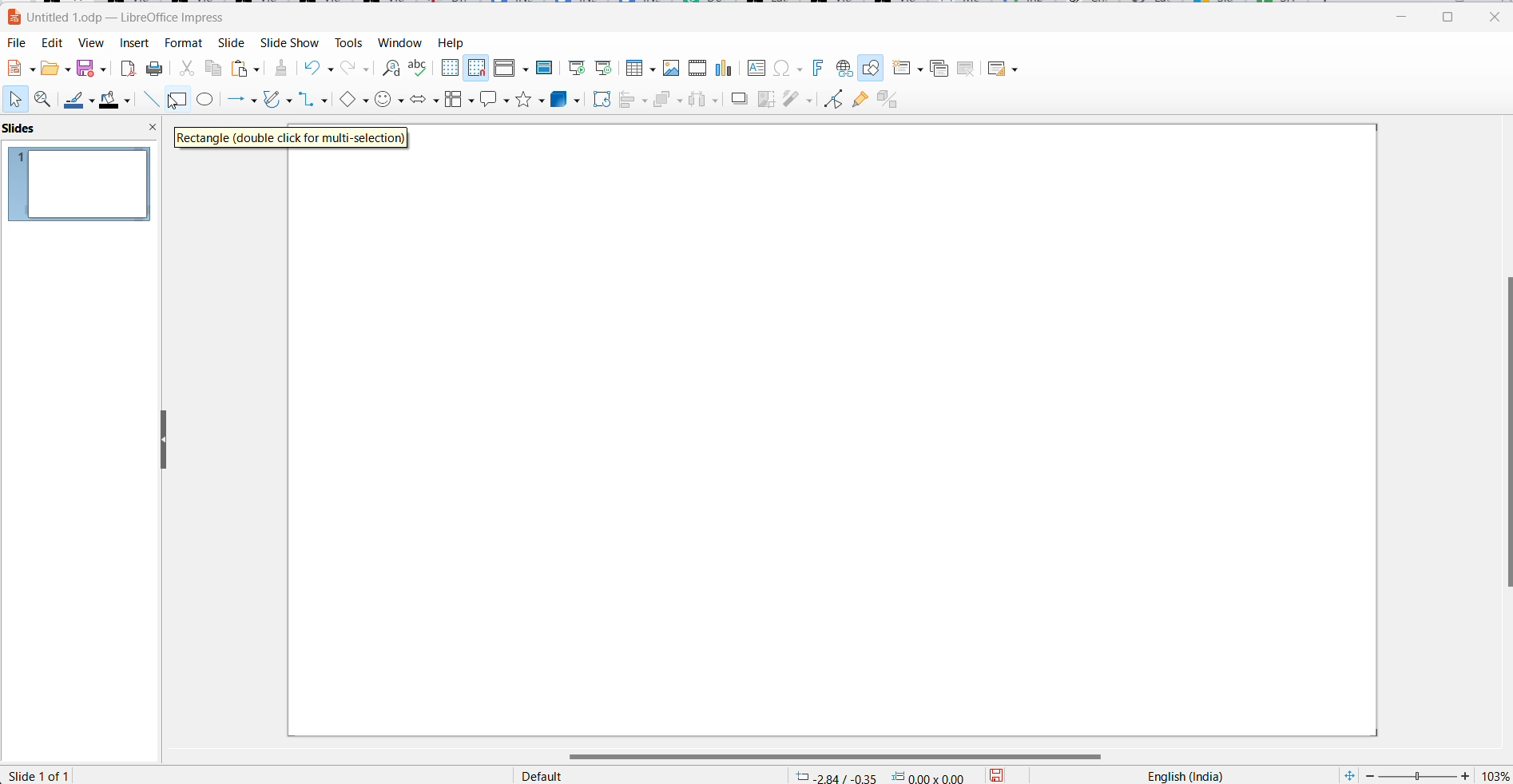 This screenshot has height=784, width=1513. What do you see at coordinates (78, 184) in the screenshot?
I see `slide preview` at bounding box center [78, 184].